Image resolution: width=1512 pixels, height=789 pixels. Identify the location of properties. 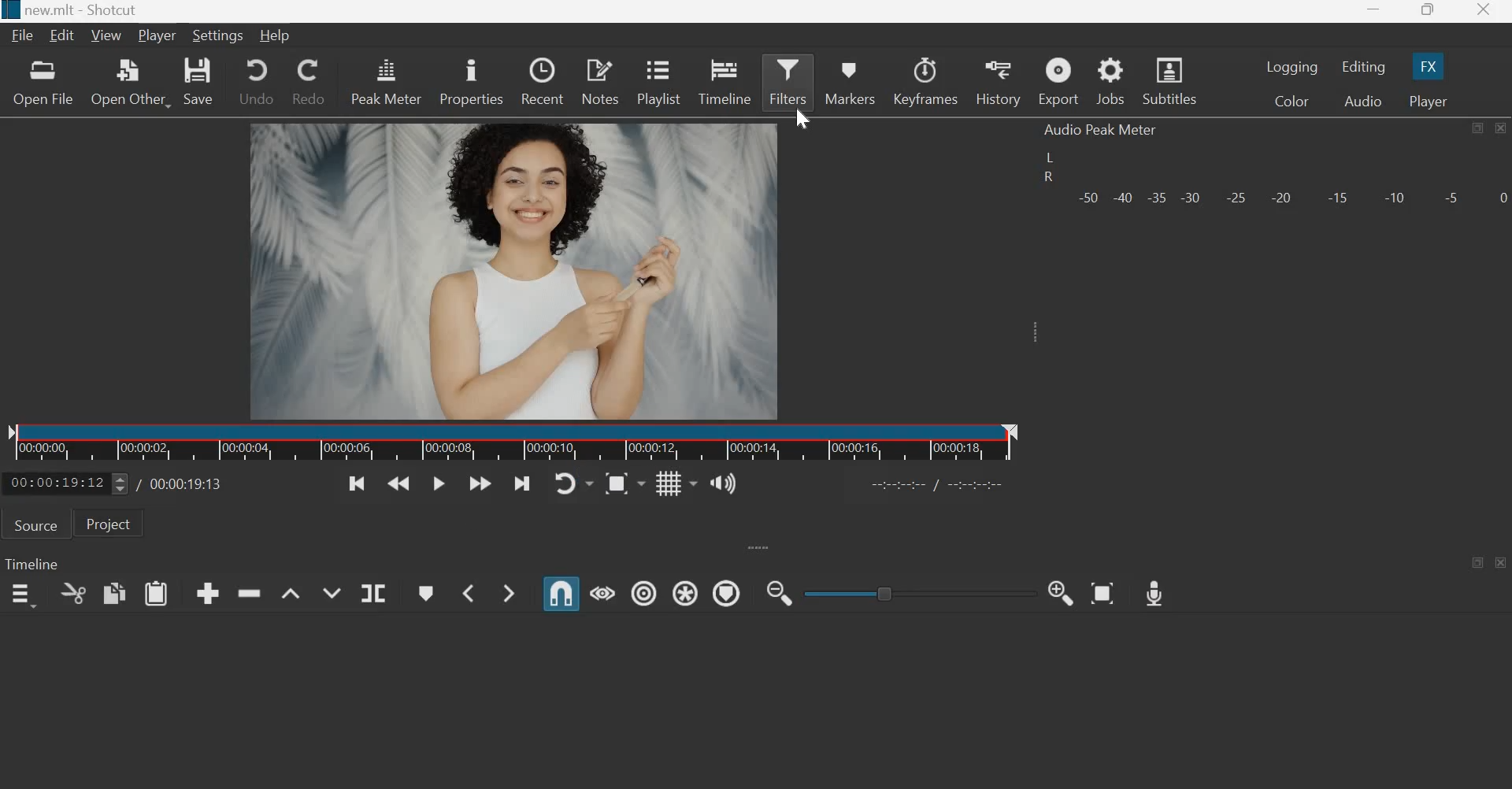
(471, 80).